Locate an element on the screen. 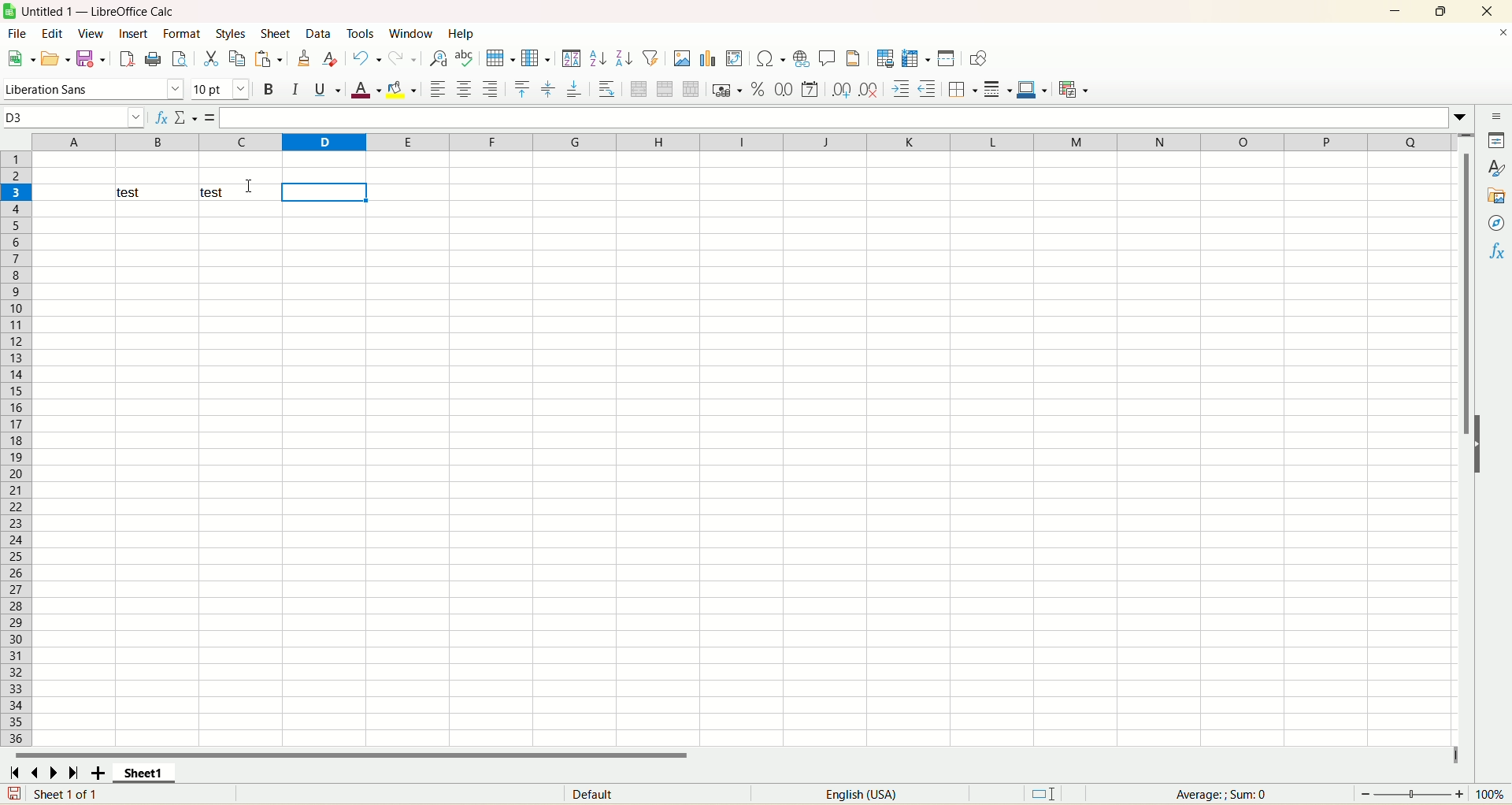  functions is located at coordinates (1495, 251).